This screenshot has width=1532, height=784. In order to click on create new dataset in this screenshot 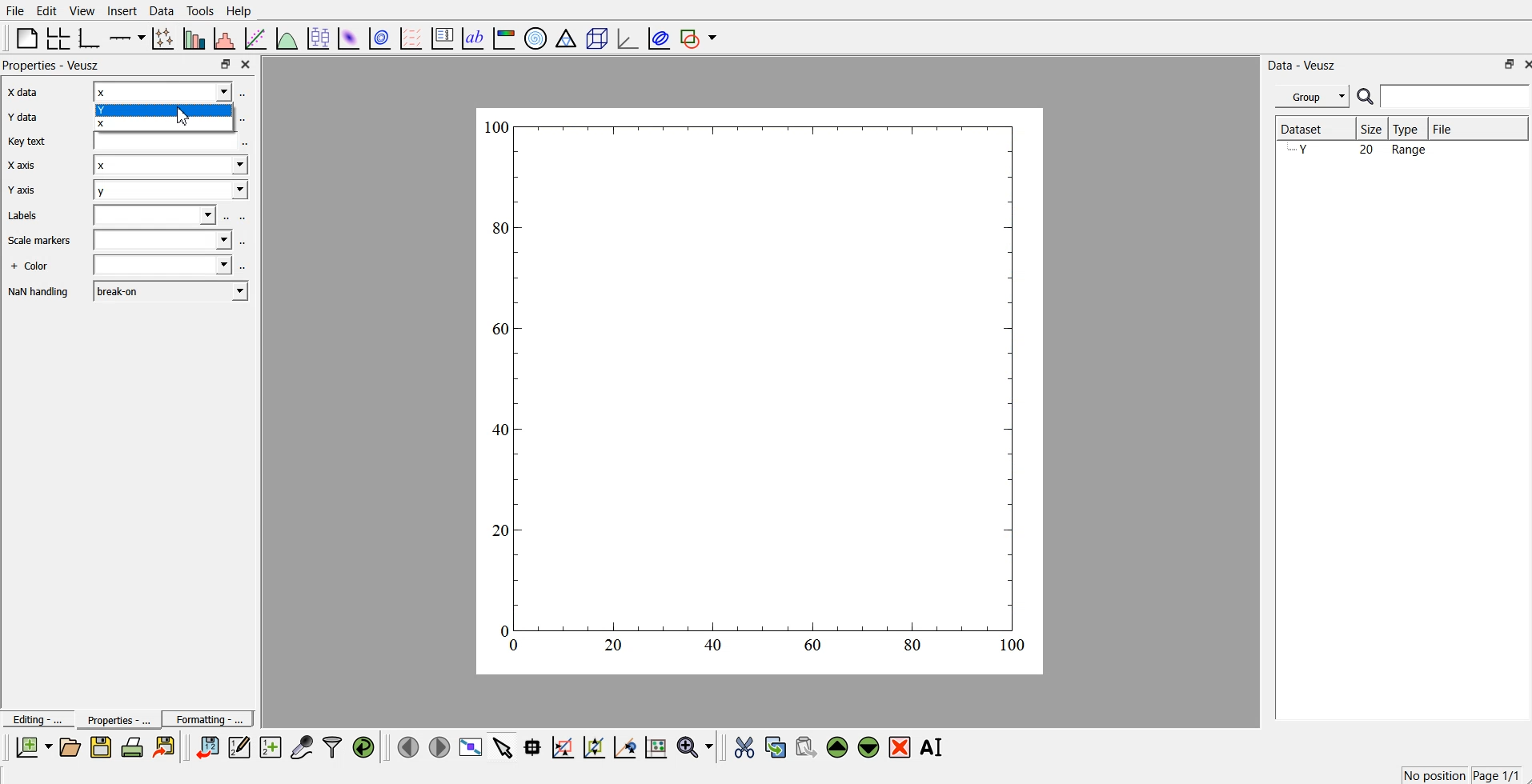, I will do `click(270, 745)`.